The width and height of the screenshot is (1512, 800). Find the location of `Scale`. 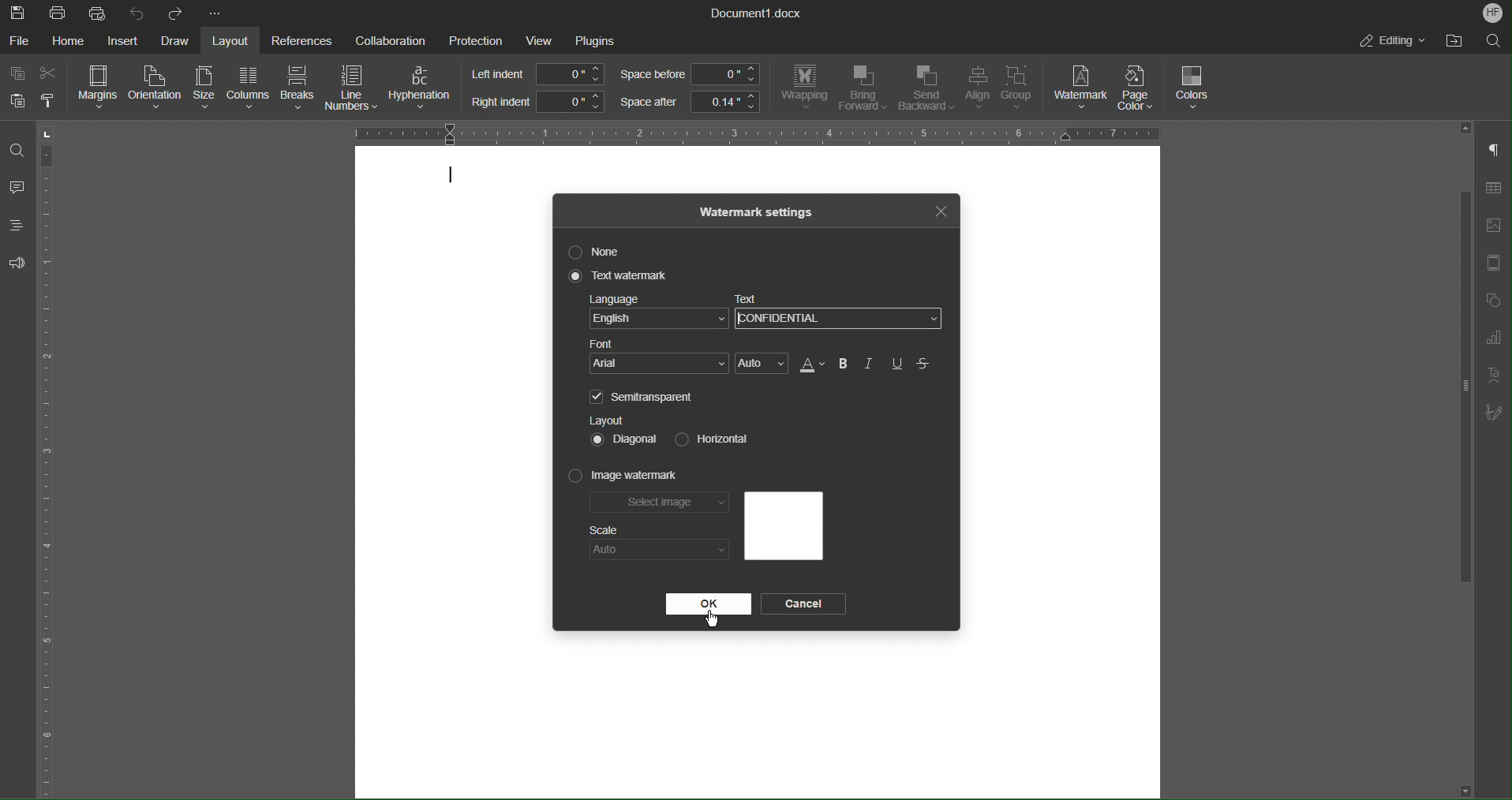

Scale is located at coordinates (604, 530).